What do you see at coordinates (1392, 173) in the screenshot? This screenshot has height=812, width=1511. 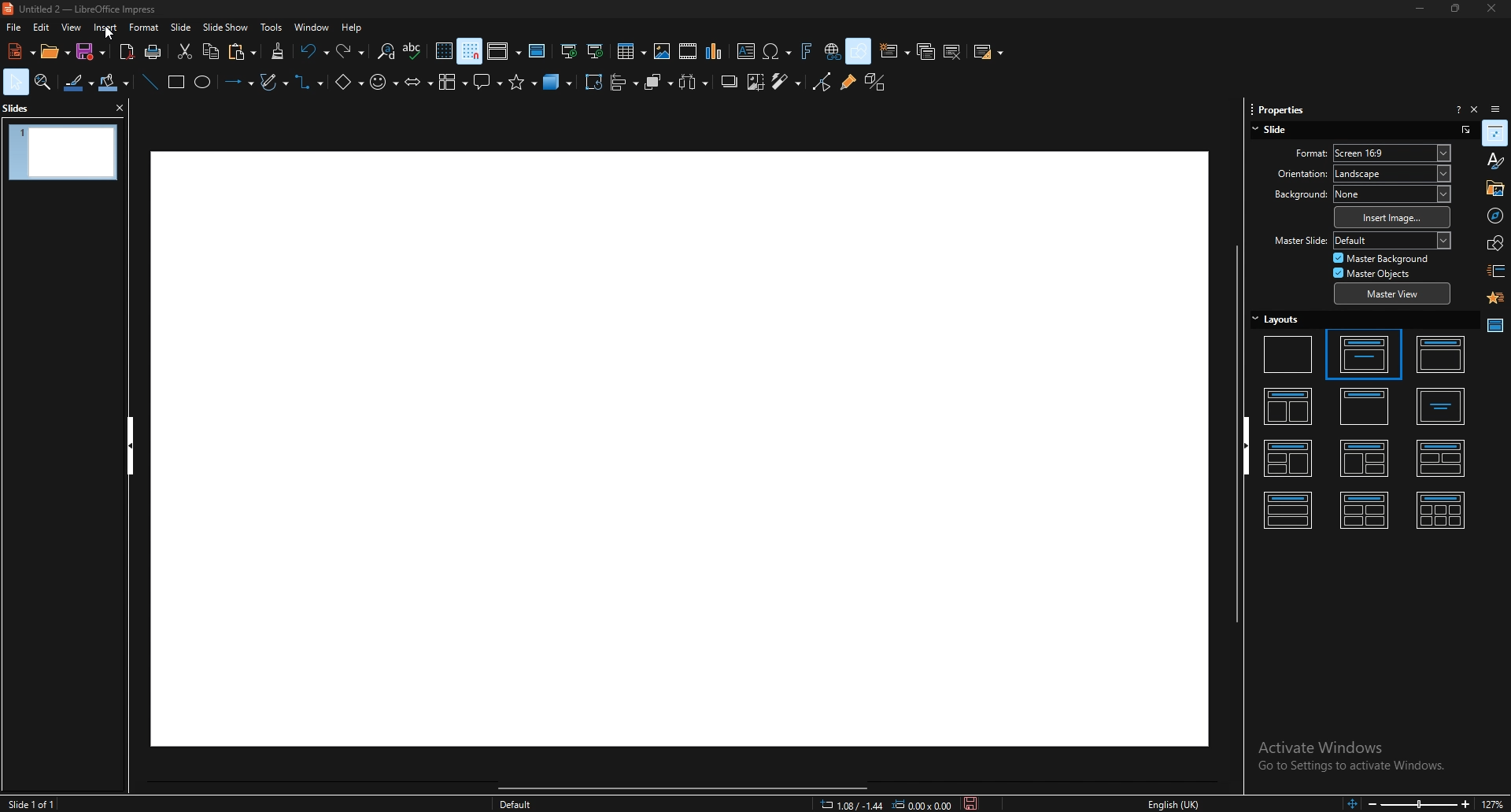 I see `orientation Landscape` at bounding box center [1392, 173].